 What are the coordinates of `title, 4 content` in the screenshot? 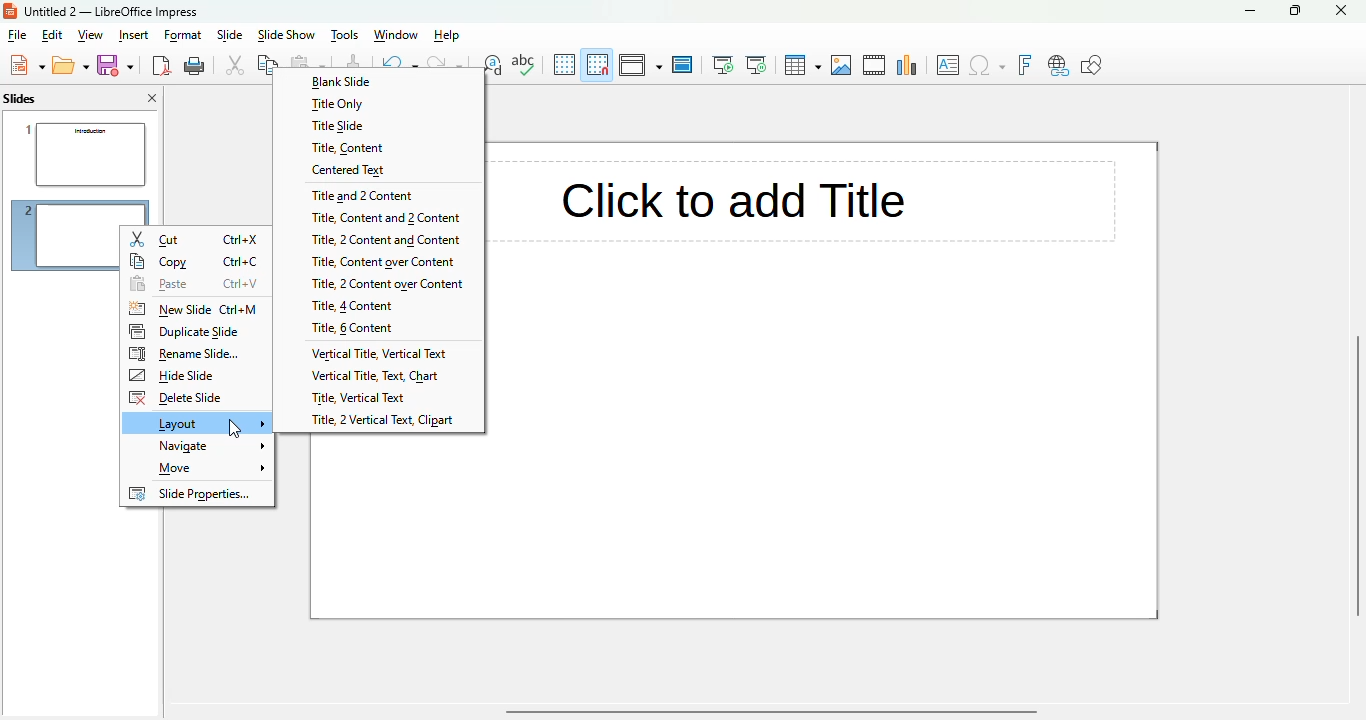 It's located at (380, 305).